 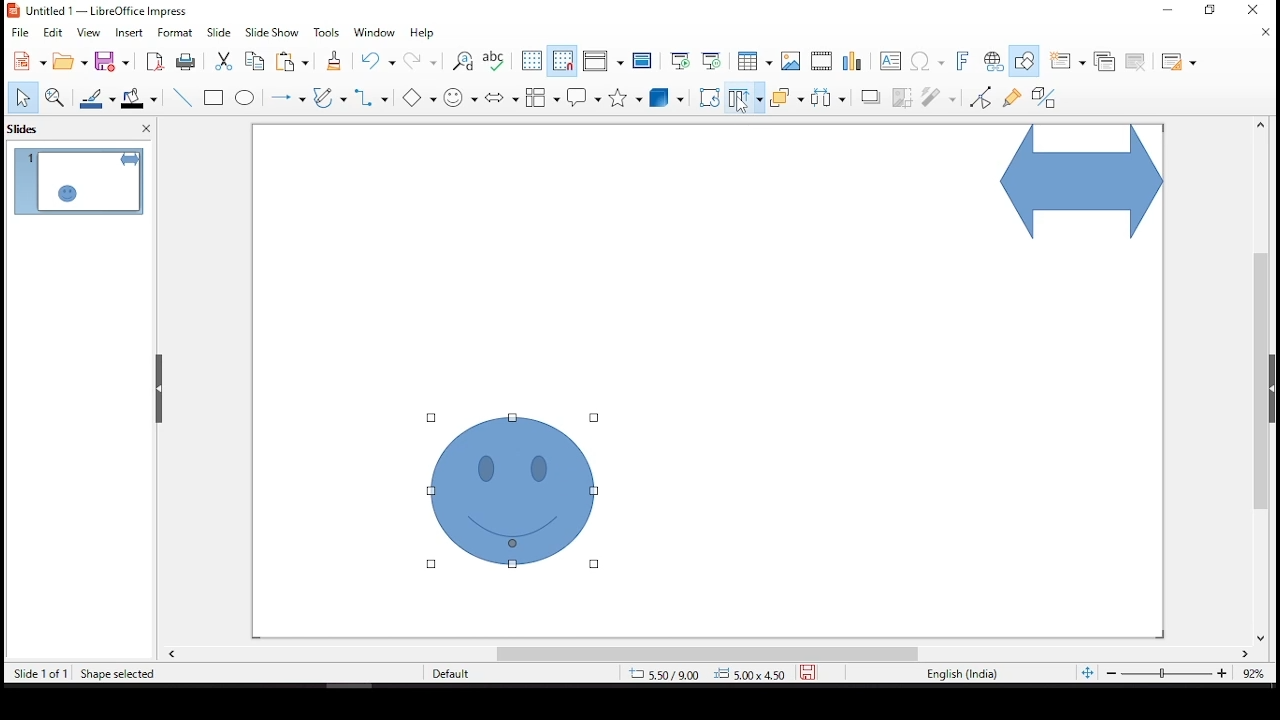 I want to click on close pane, so click(x=143, y=131).